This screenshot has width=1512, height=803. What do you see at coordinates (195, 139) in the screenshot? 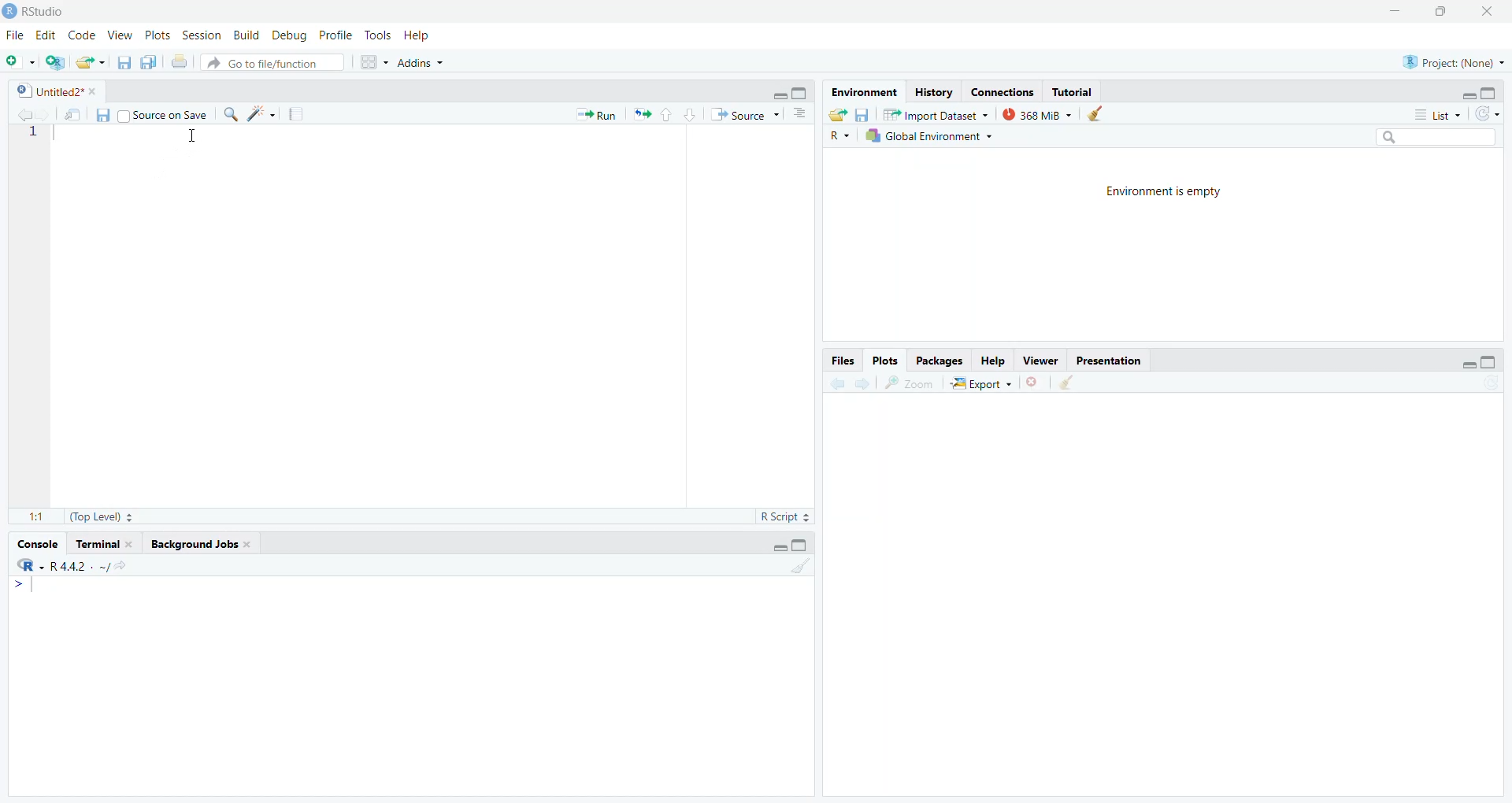
I see `cursor` at bounding box center [195, 139].